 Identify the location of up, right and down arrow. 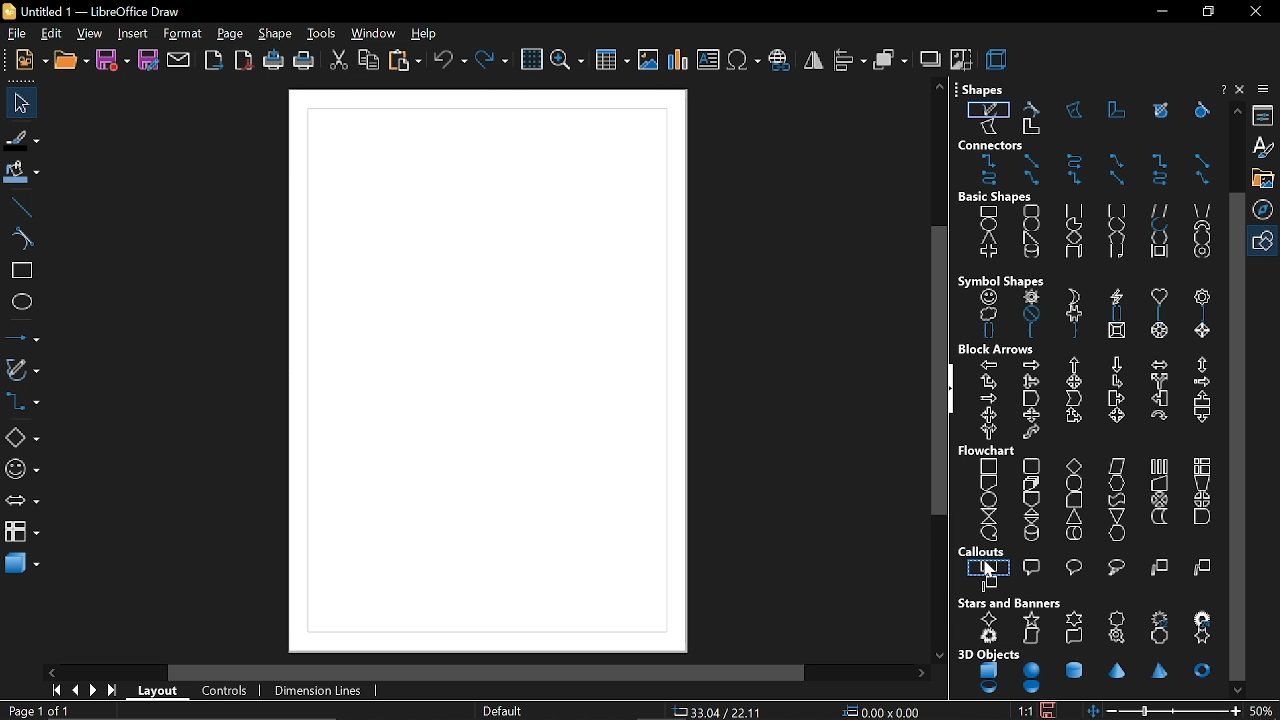
(1030, 381).